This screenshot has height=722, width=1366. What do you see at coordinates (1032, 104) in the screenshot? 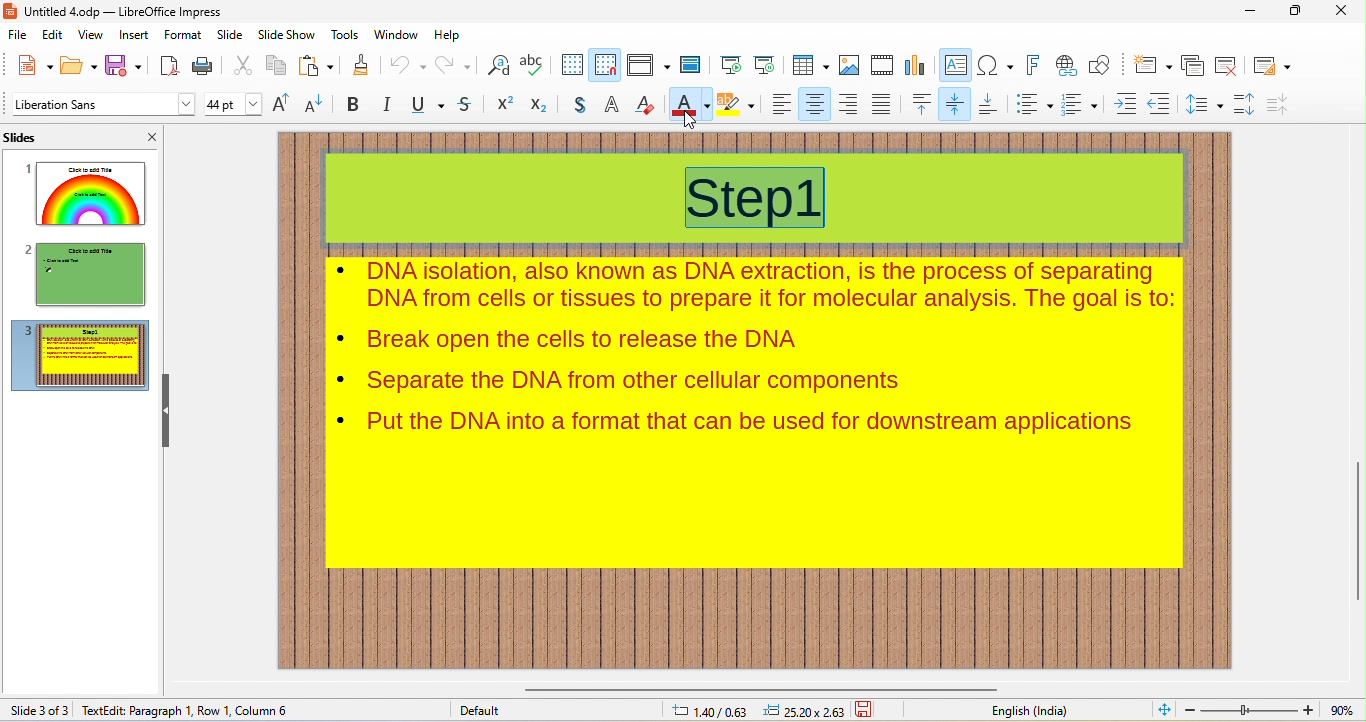
I see `bulleted ` at bounding box center [1032, 104].